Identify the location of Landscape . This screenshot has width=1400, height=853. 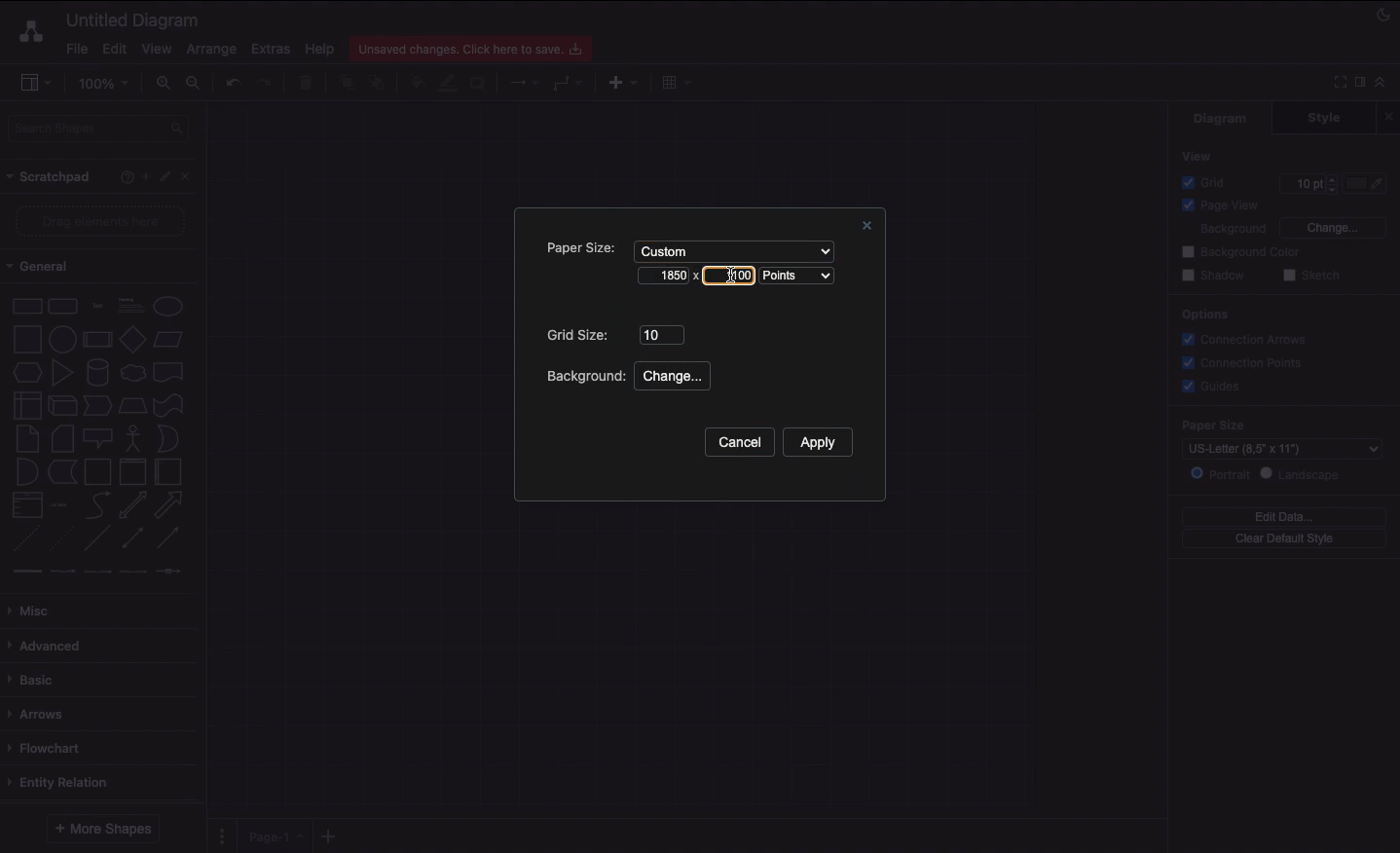
(1304, 474).